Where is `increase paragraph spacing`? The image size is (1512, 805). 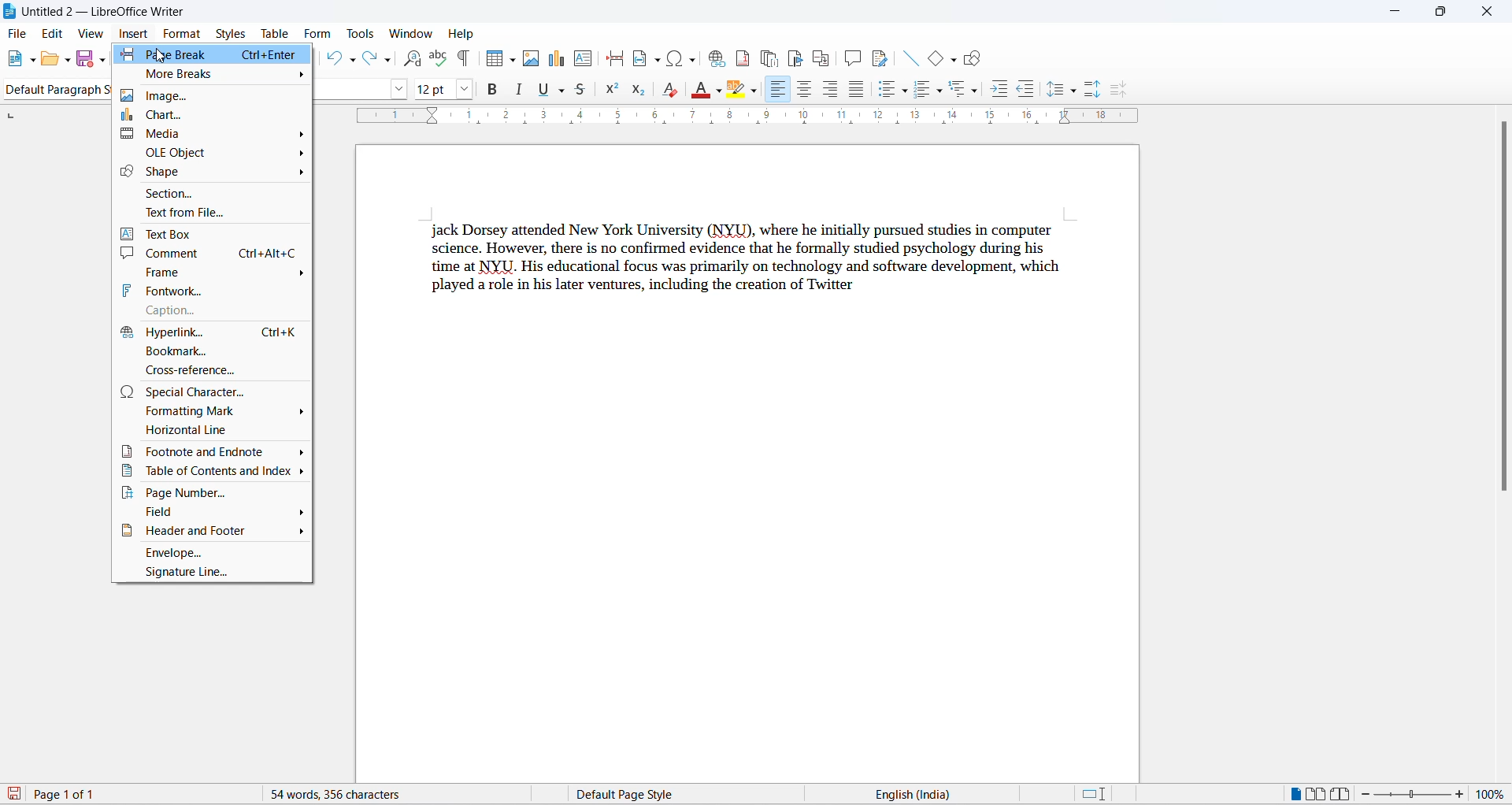
increase paragraph spacing is located at coordinates (1091, 89).